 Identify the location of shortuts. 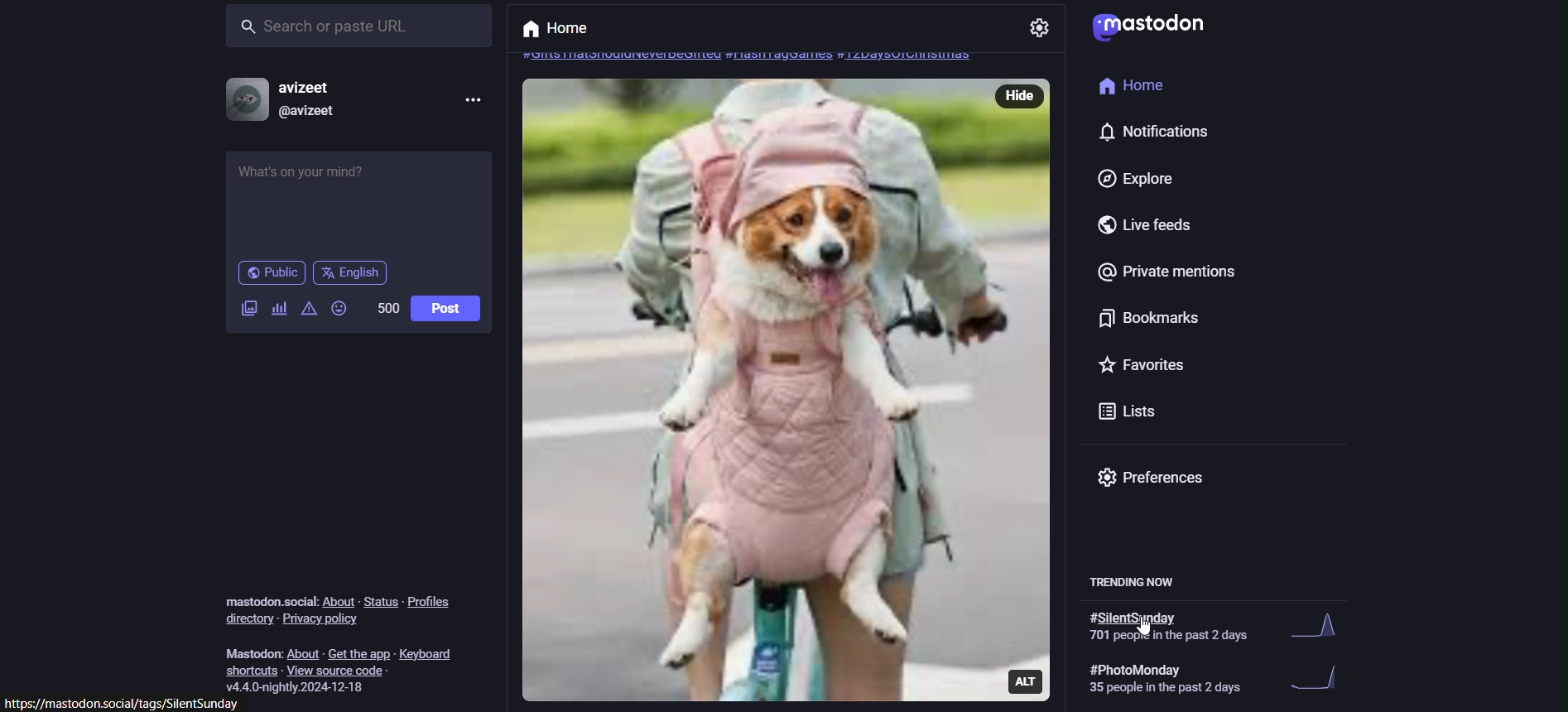
(253, 671).